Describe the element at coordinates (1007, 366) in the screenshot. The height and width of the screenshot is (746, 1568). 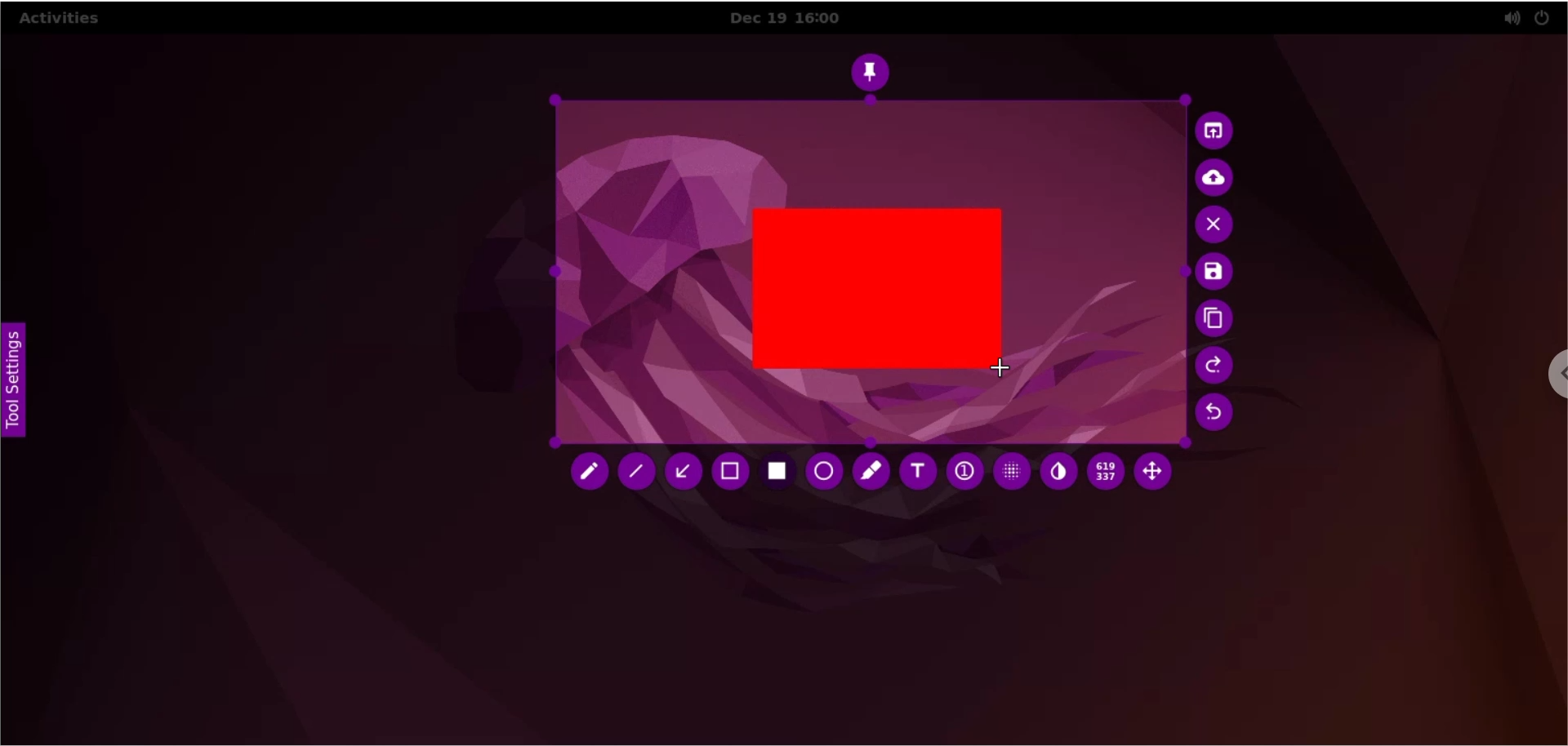
I see `cursor` at that location.